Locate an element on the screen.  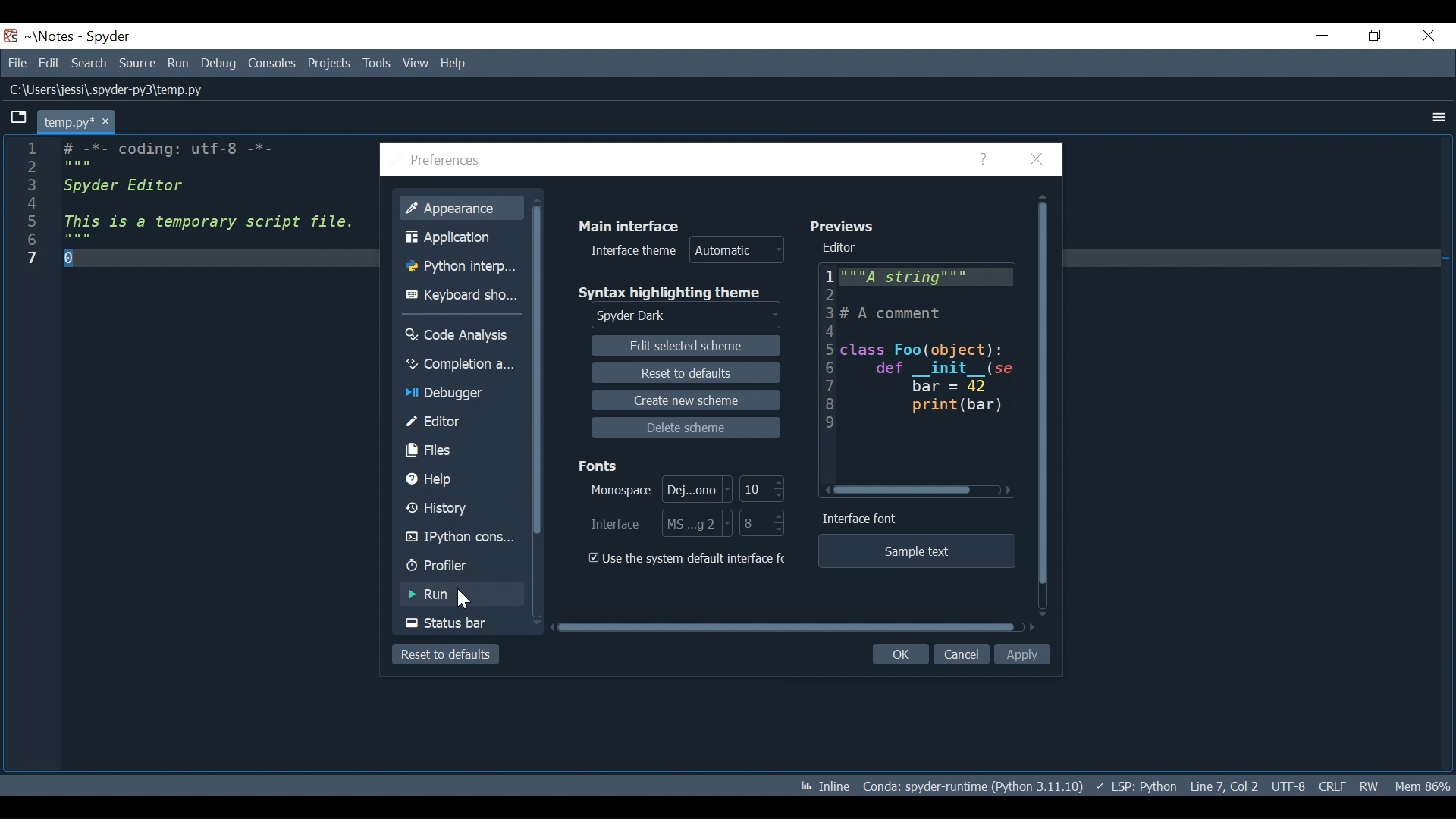
Toggle Inline and Interactive Matplotlib plotting is located at coordinates (821, 785).